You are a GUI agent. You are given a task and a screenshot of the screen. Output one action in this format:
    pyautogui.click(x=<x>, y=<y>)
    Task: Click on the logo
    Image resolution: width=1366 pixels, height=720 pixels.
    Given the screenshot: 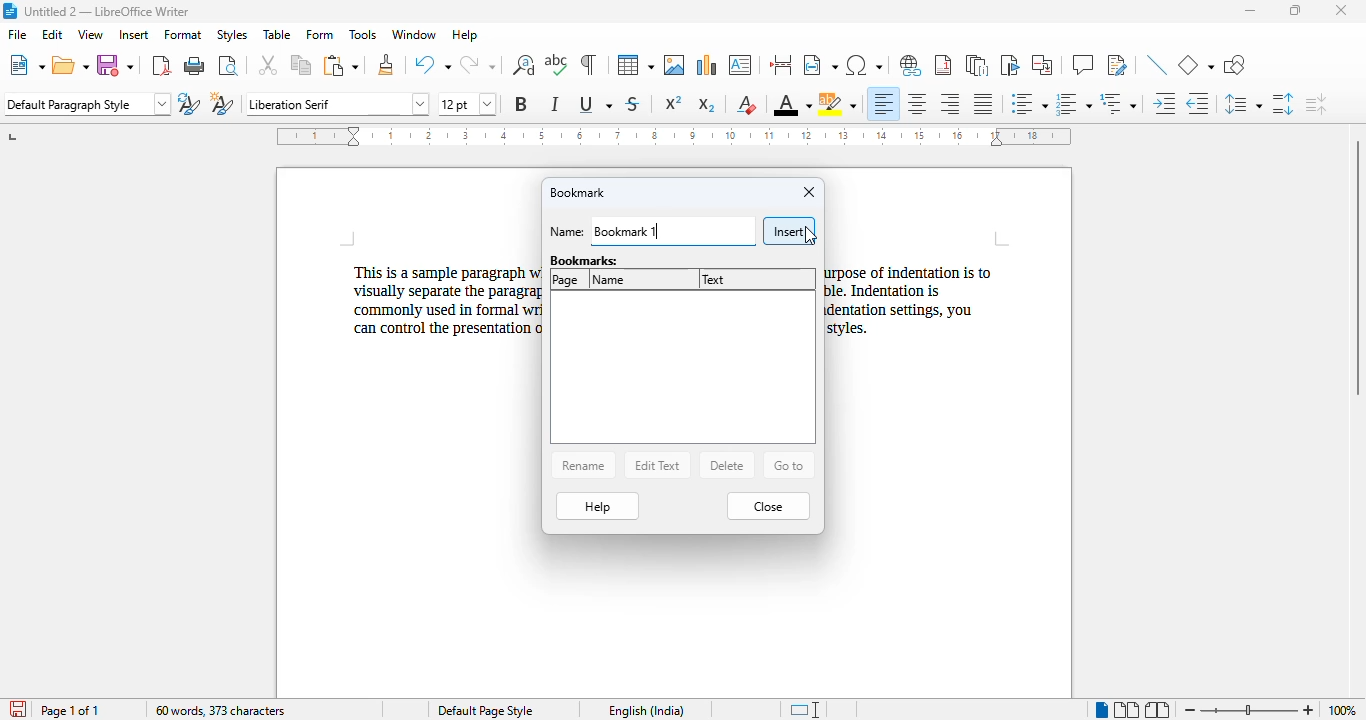 What is the action you would take?
    pyautogui.click(x=9, y=11)
    